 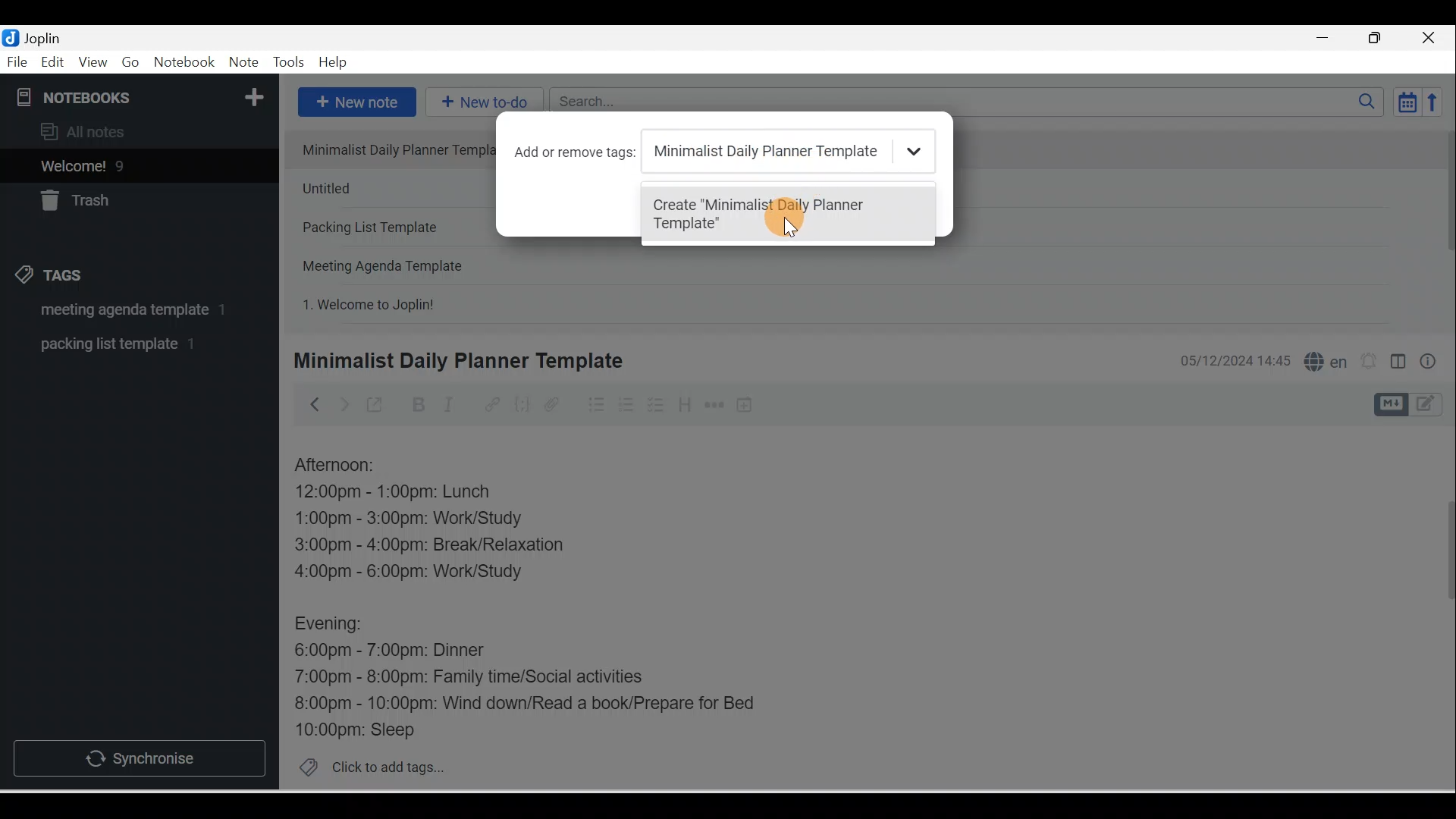 What do you see at coordinates (363, 729) in the screenshot?
I see `10:00pm: Sleep` at bounding box center [363, 729].